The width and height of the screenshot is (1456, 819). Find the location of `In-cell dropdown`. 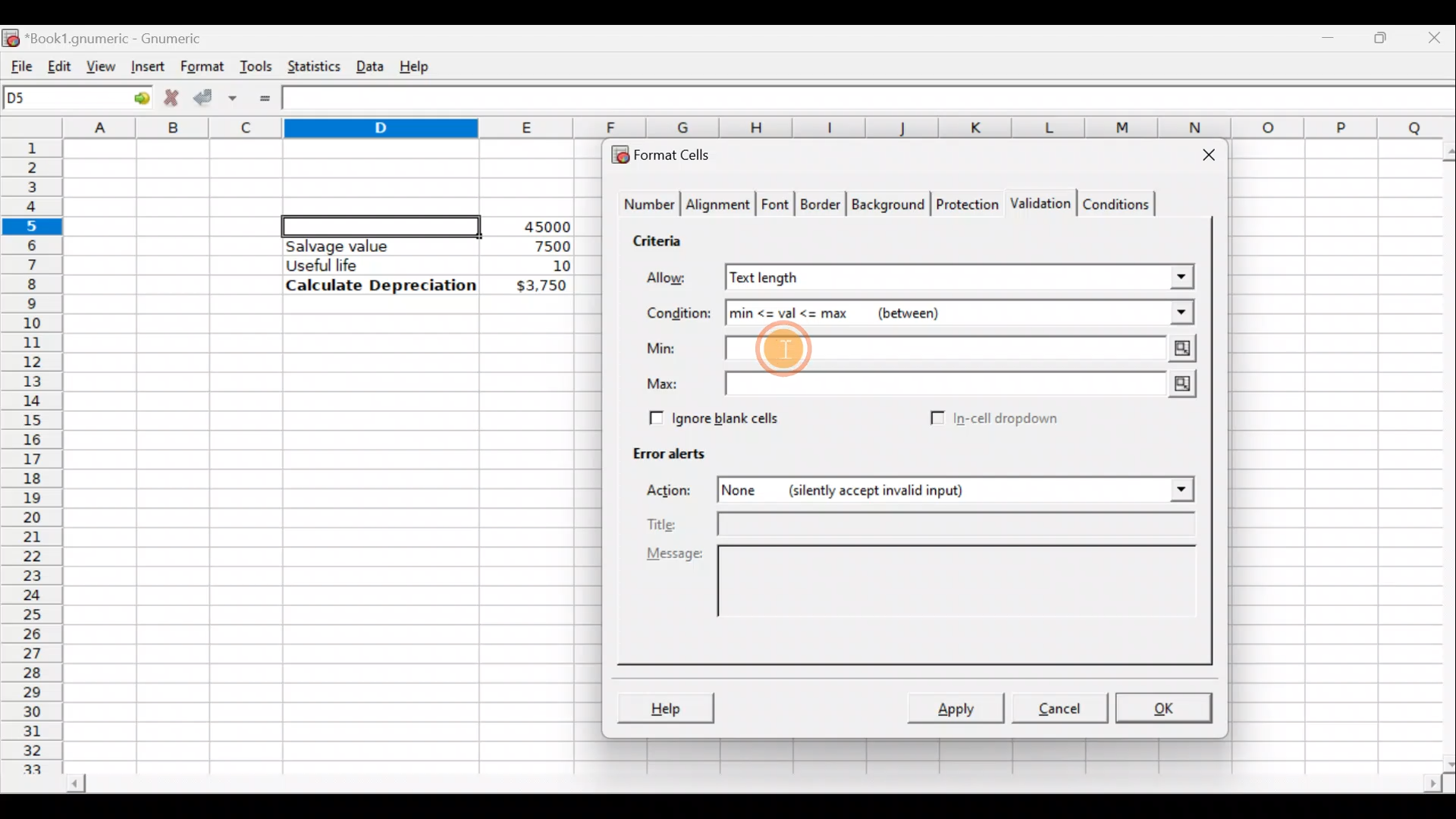

In-cell dropdown is located at coordinates (1009, 419).